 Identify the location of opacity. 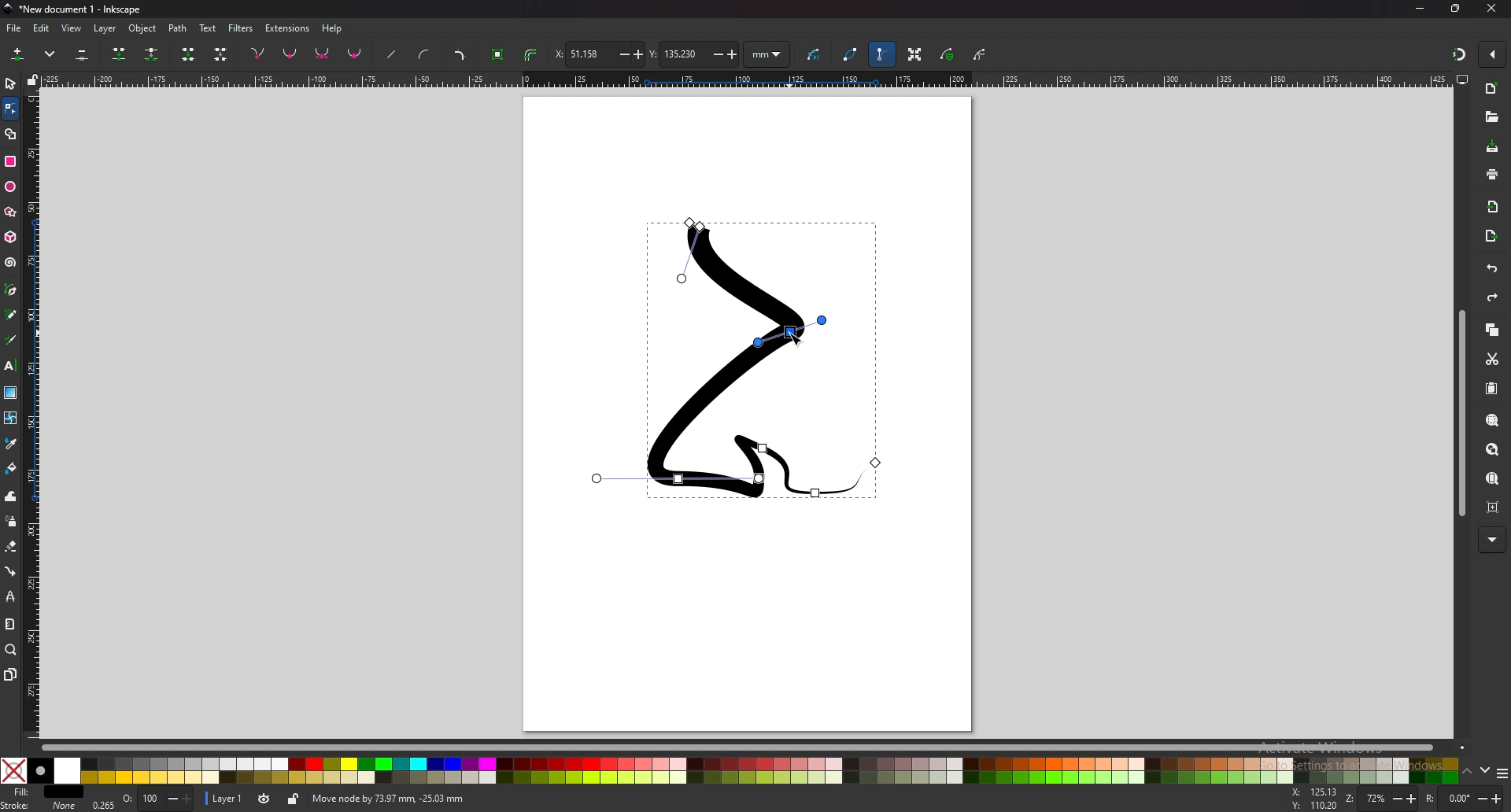
(144, 799).